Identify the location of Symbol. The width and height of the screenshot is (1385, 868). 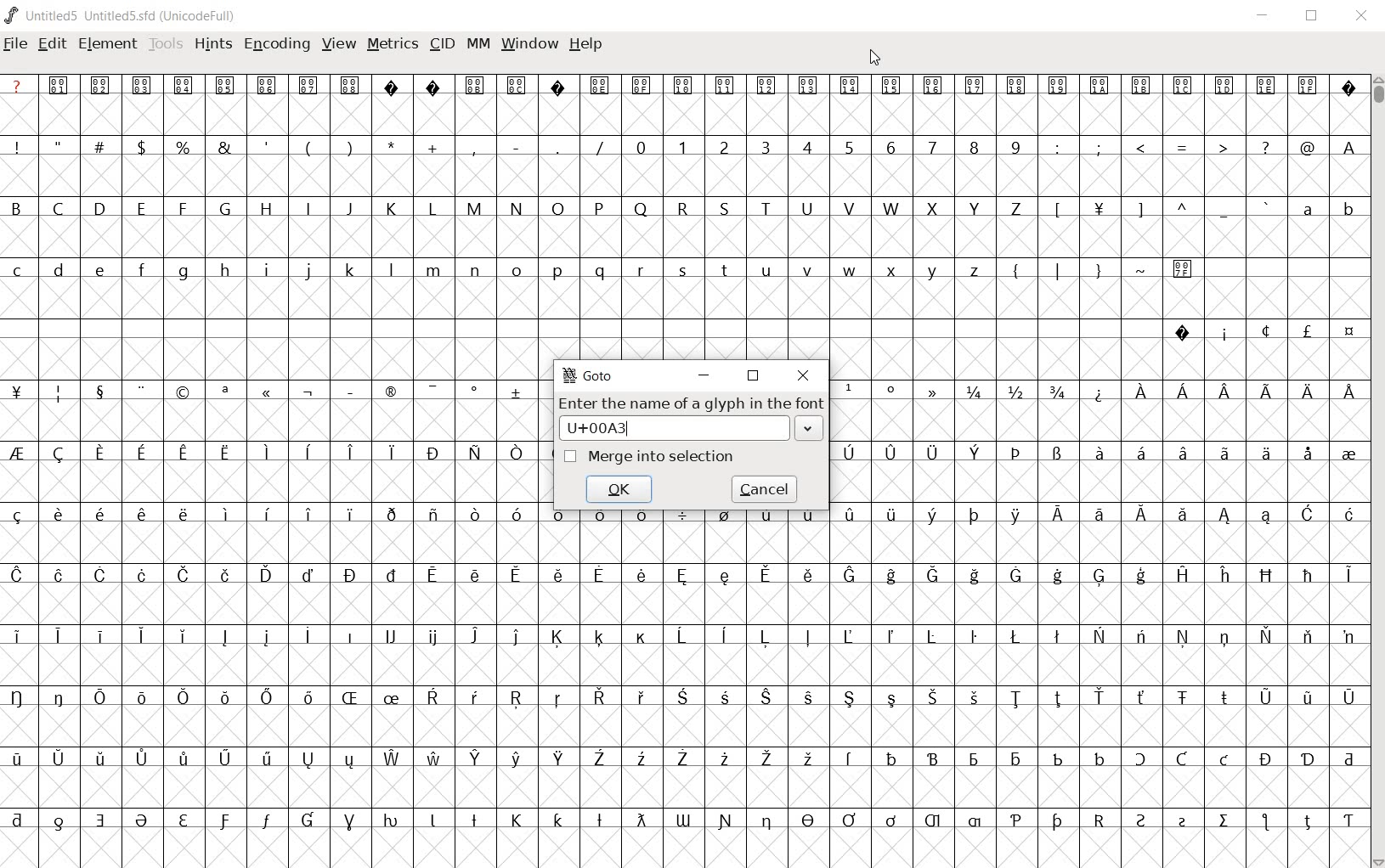
(807, 697).